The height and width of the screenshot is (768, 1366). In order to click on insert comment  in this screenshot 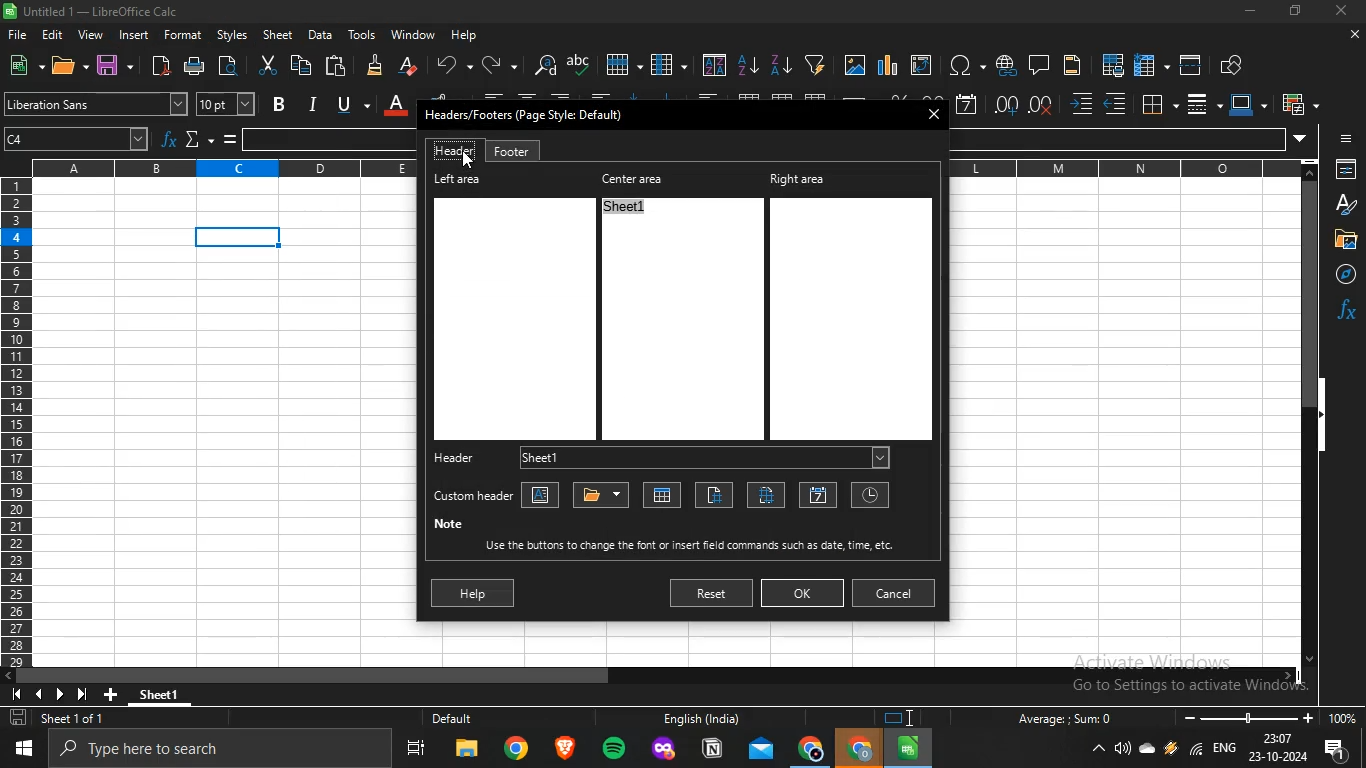, I will do `click(1039, 63)`.